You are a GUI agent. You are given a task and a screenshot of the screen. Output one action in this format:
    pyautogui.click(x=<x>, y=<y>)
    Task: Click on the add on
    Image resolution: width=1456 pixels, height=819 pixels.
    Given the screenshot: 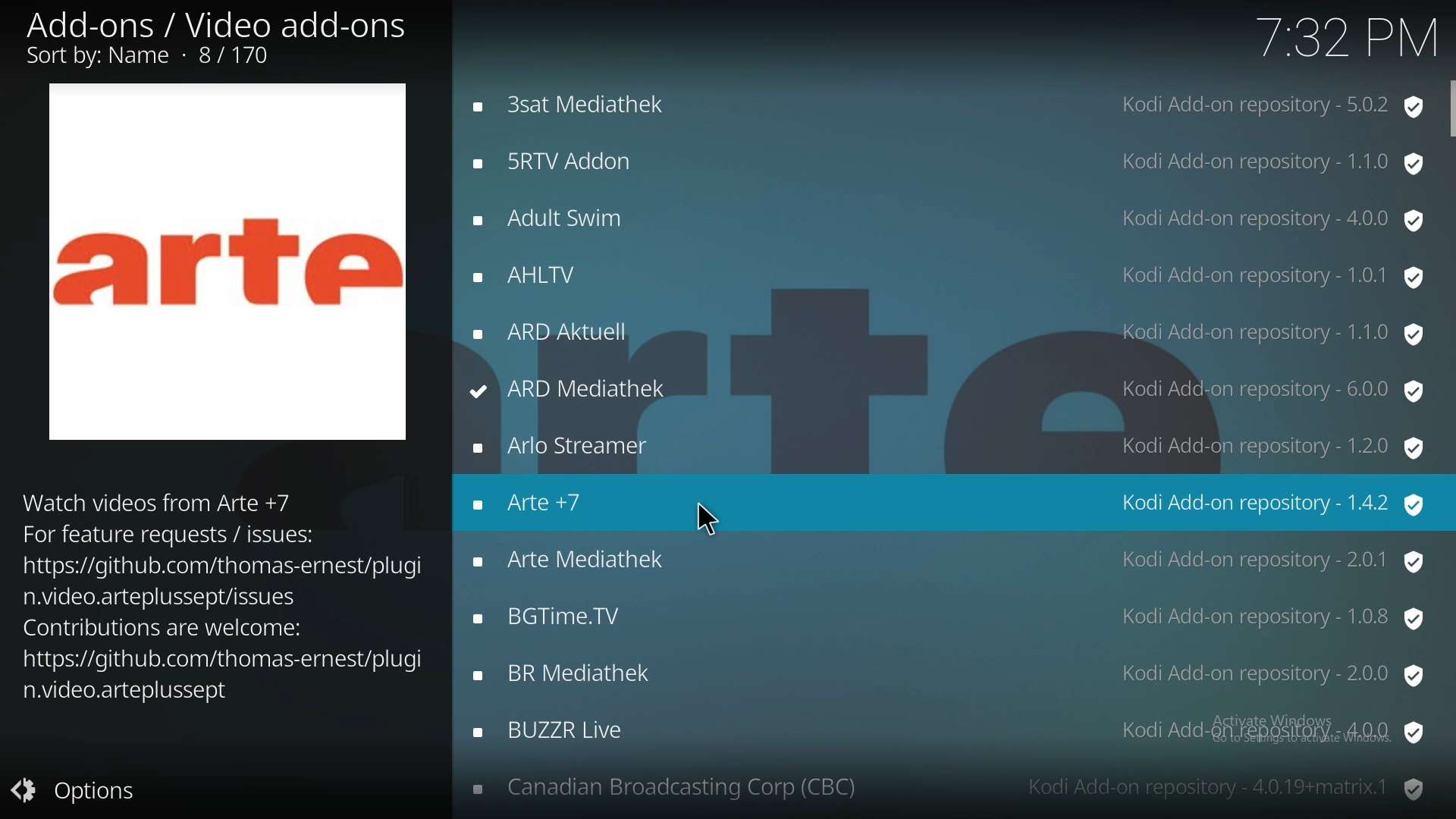 What is the action you would take?
    pyautogui.click(x=949, y=391)
    